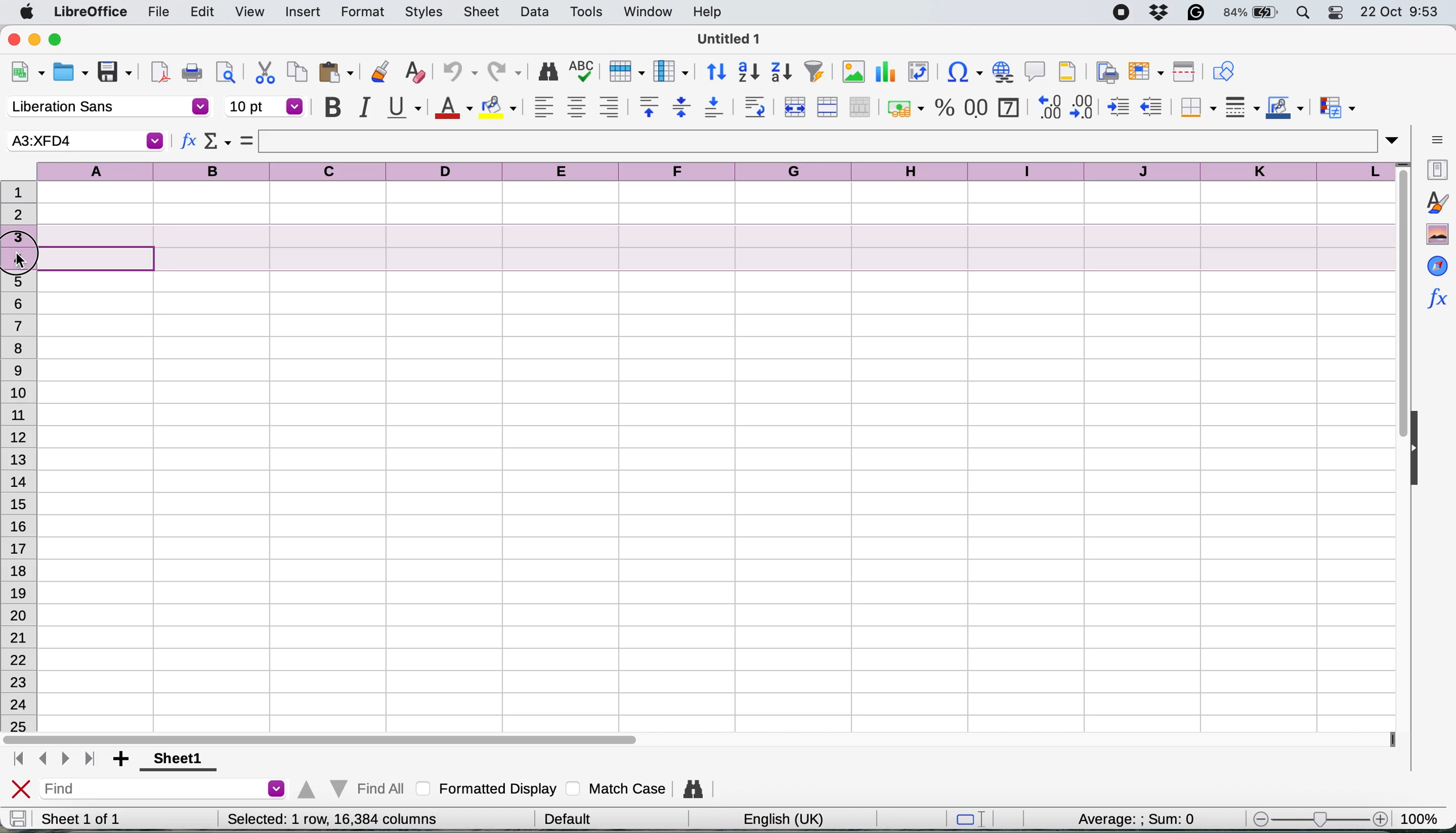  I want to click on function wizard, so click(189, 143).